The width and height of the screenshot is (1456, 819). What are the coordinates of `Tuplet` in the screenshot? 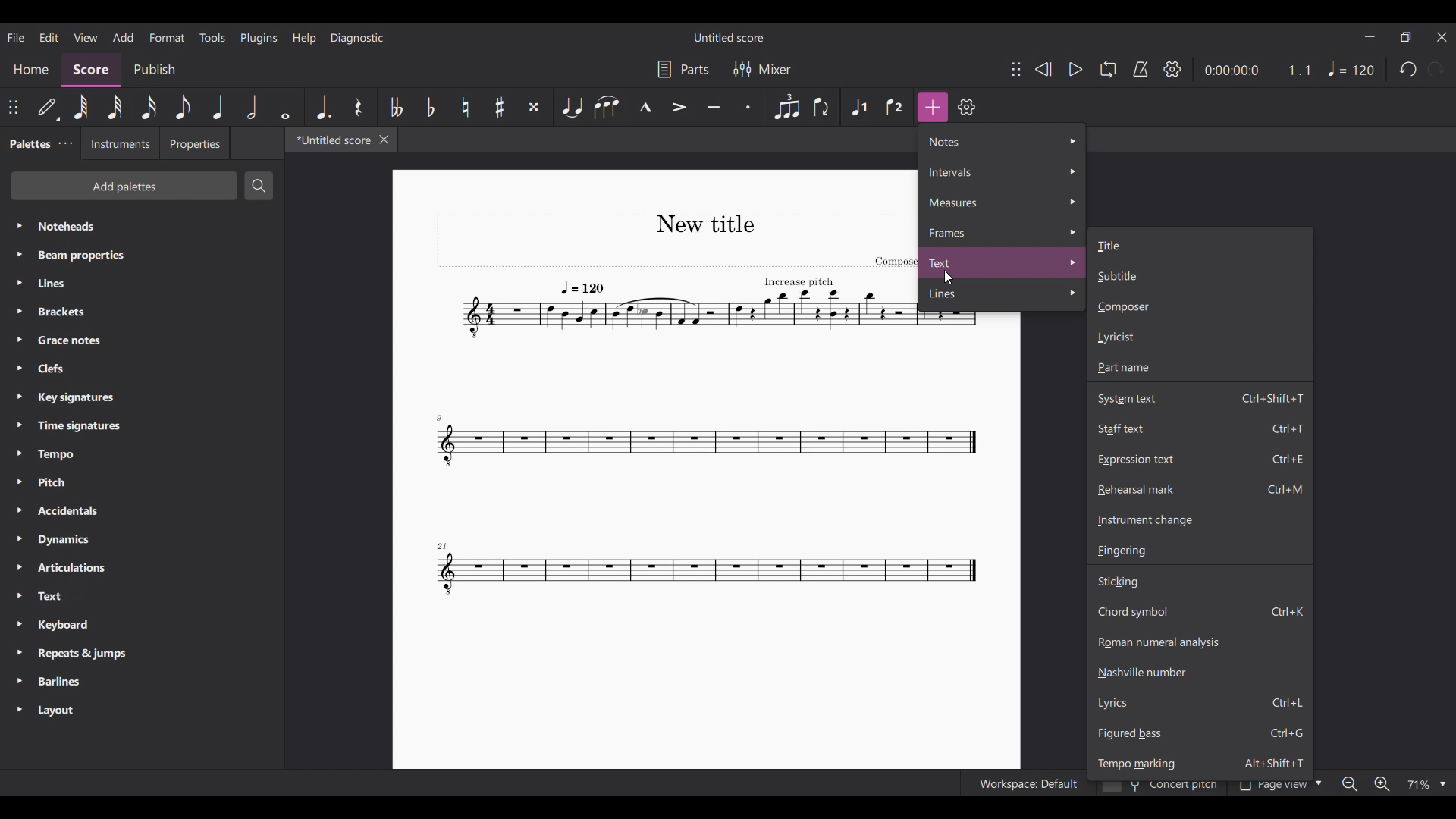 It's located at (786, 107).